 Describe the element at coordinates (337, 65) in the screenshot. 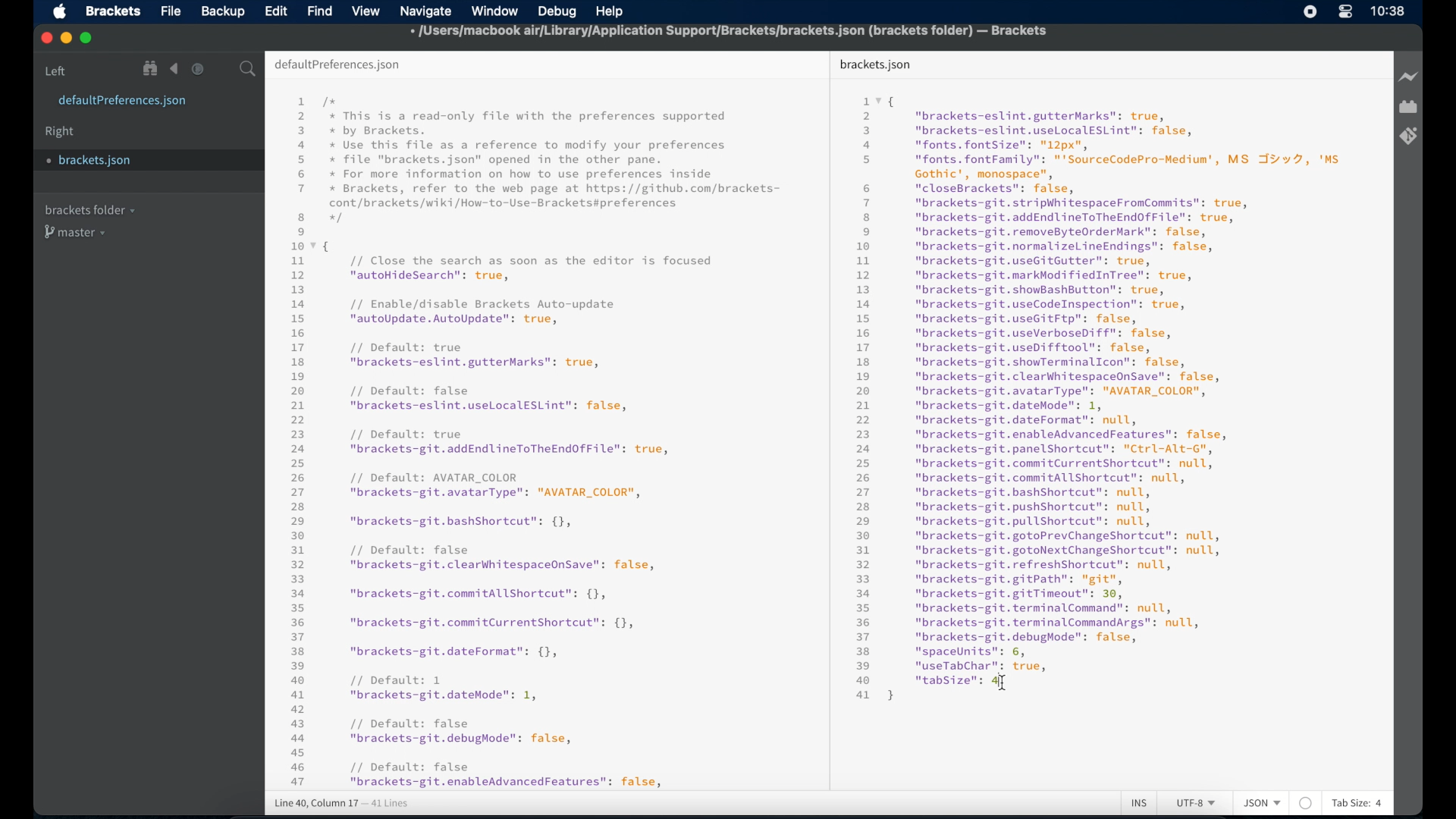

I see `default preferences.json` at that location.